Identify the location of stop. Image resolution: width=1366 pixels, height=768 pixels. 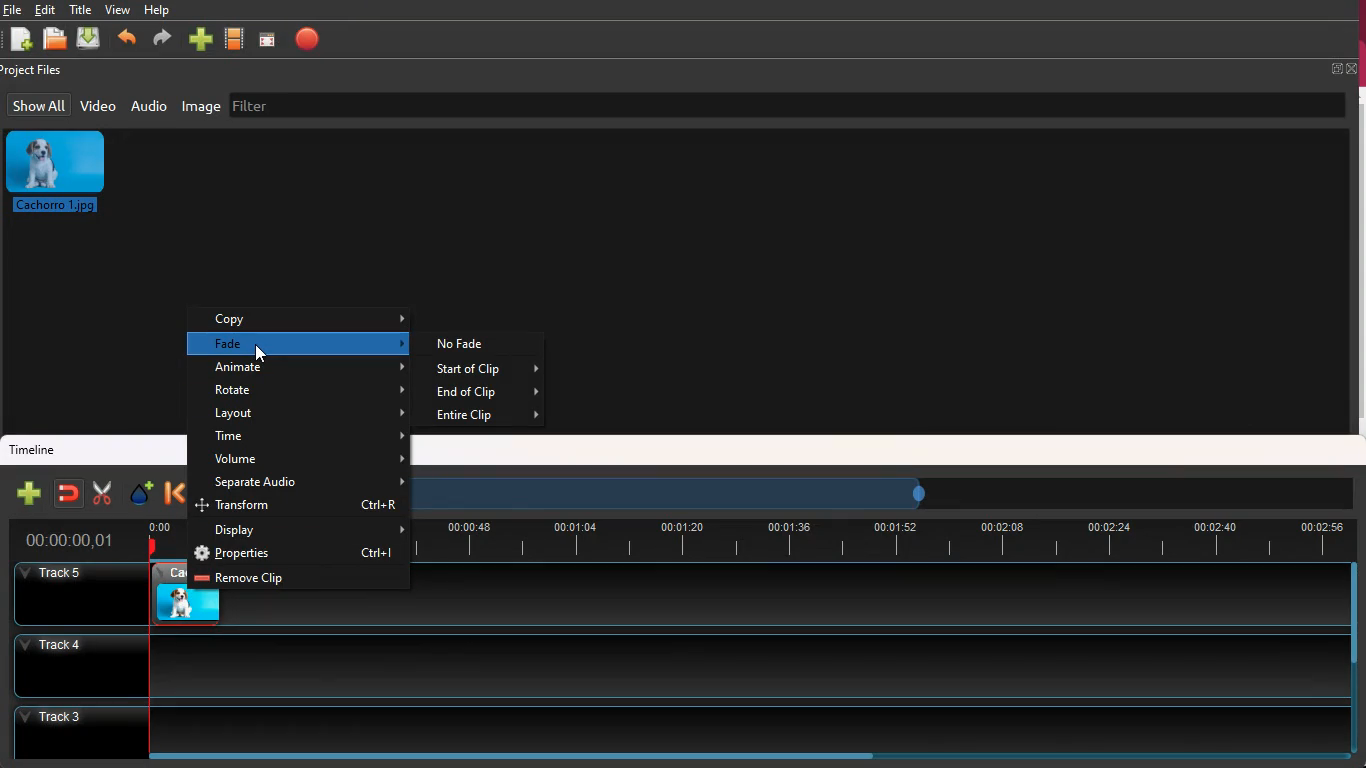
(312, 38).